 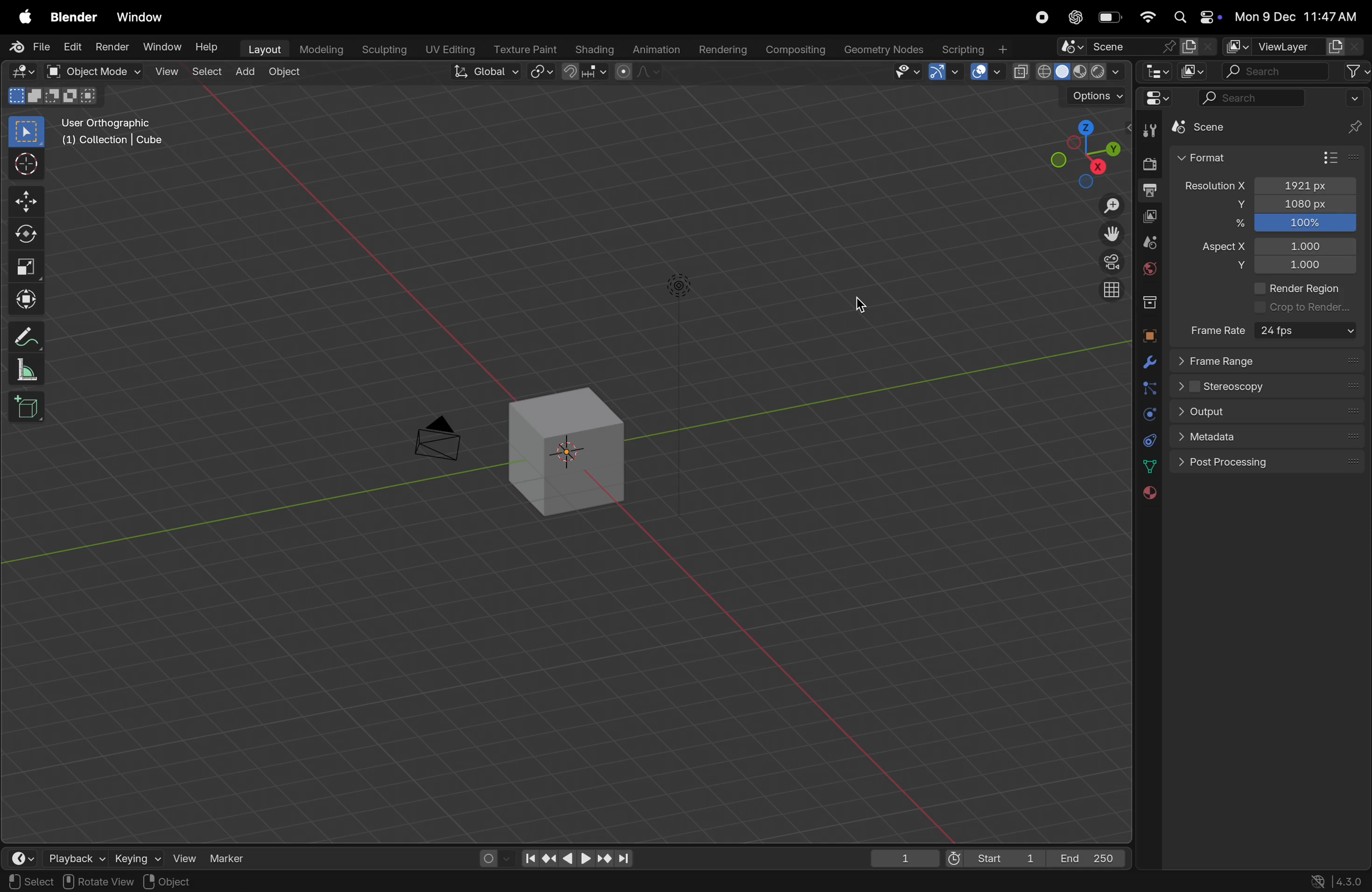 What do you see at coordinates (139, 17) in the screenshot?
I see `window` at bounding box center [139, 17].